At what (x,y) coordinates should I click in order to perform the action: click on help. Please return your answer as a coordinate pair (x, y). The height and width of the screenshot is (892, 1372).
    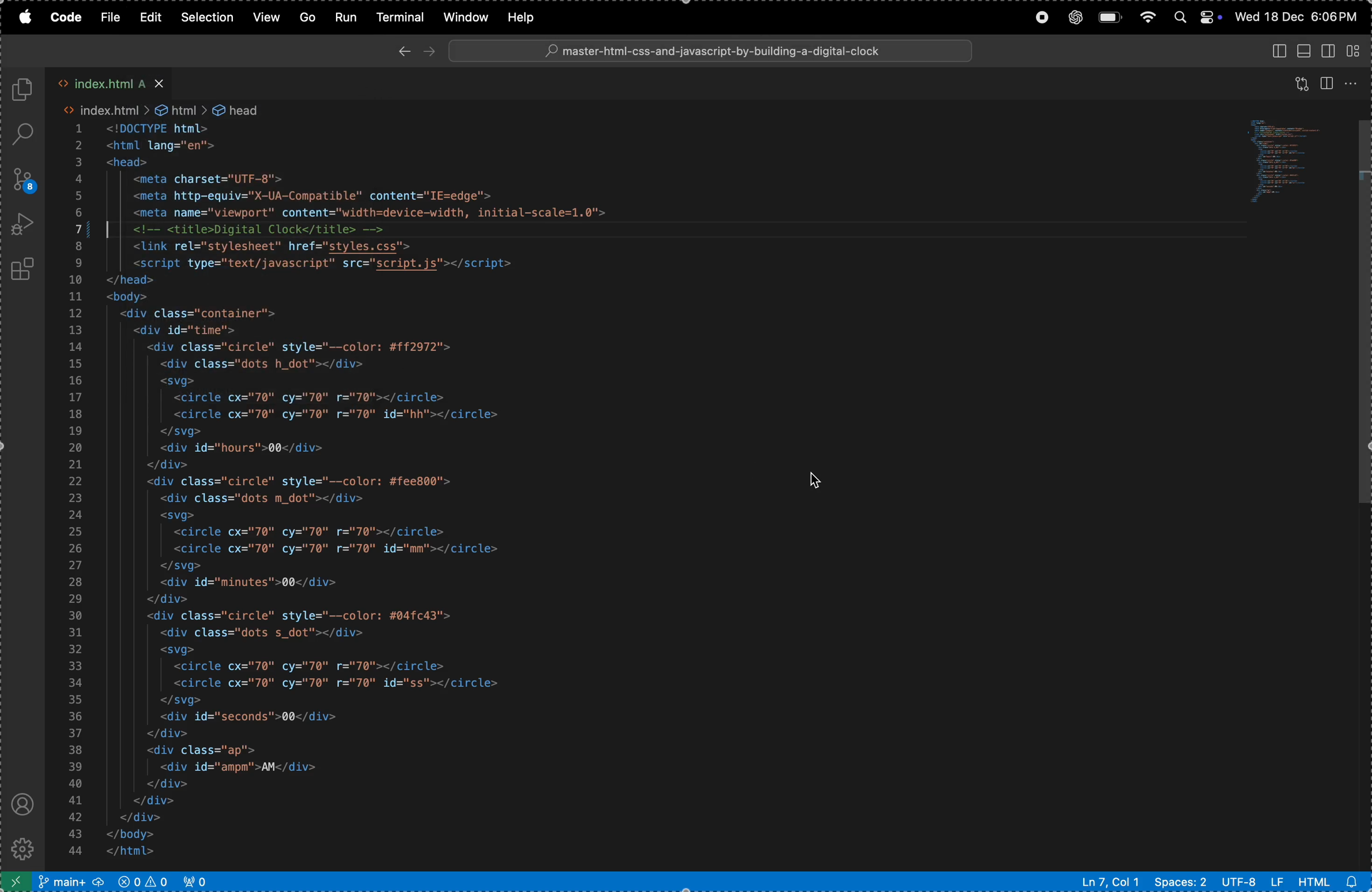
    Looking at the image, I should click on (526, 16).